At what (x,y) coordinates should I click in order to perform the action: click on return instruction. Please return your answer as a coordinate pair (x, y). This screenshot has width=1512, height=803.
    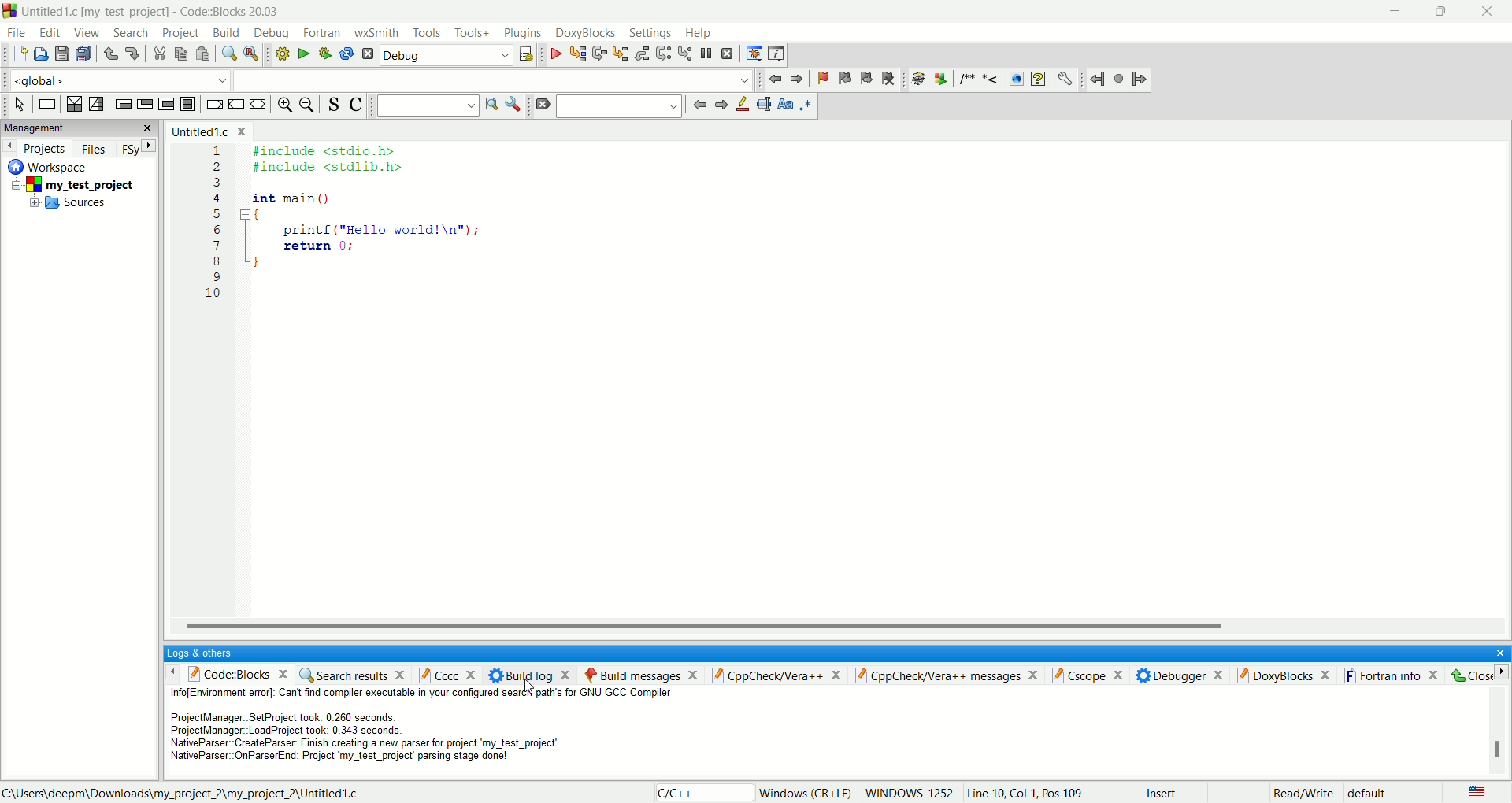
    Looking at the image, I should click on (258, 104).